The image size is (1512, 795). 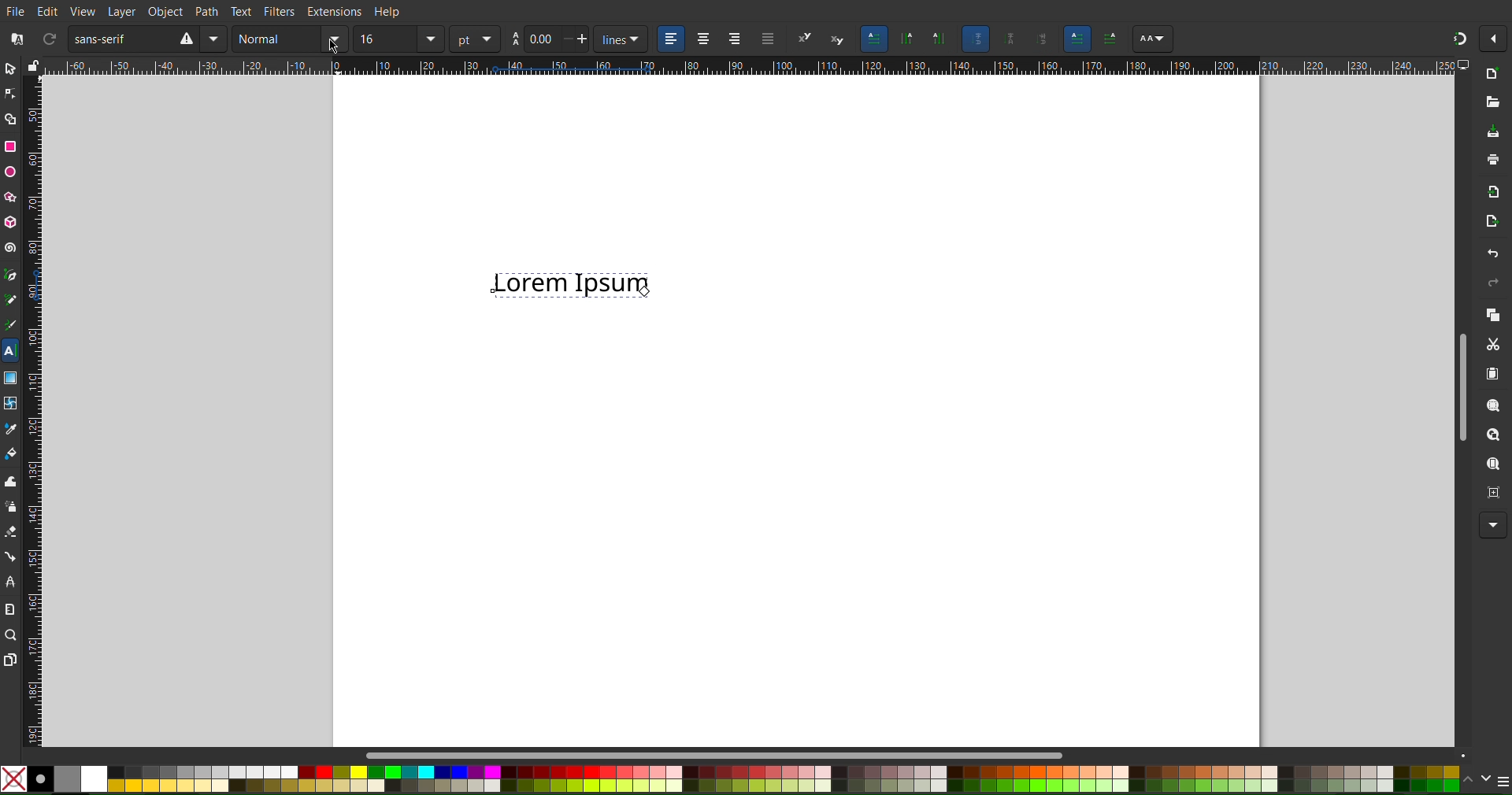 I want to click on Save, so click(x=1492, y=131).